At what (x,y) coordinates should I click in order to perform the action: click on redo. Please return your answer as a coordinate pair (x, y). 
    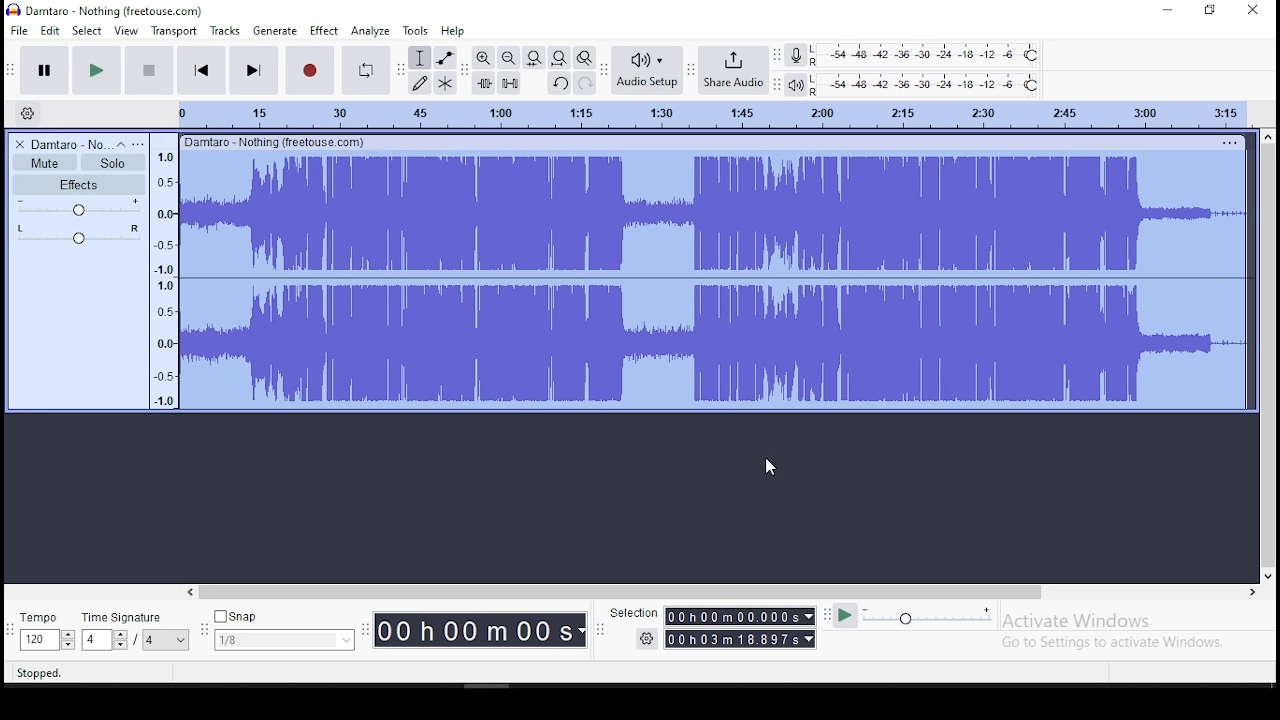
    Looking at the image, I should click on (586, 83).